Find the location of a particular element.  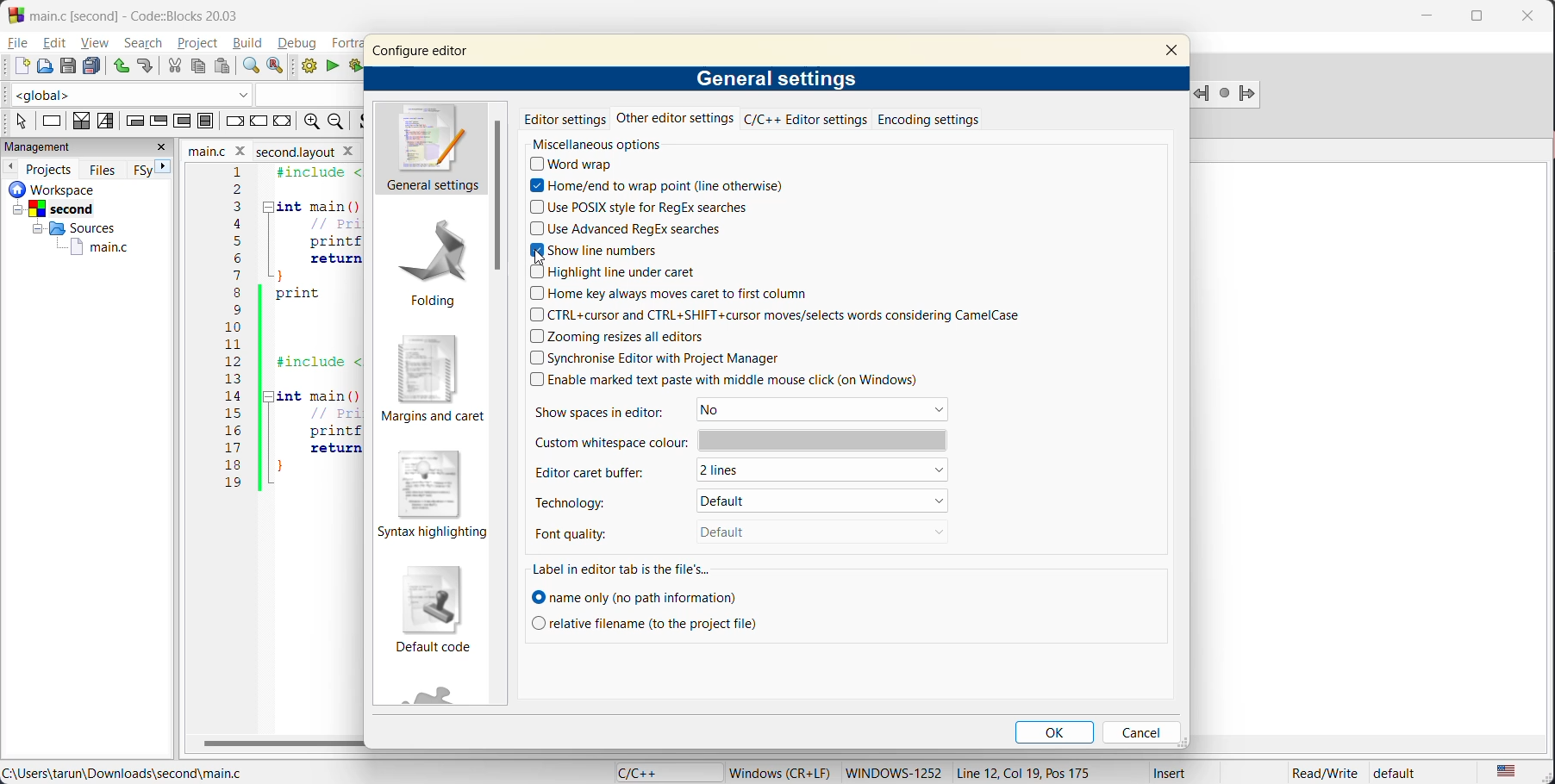

selection is located at coordinates (105, 122).